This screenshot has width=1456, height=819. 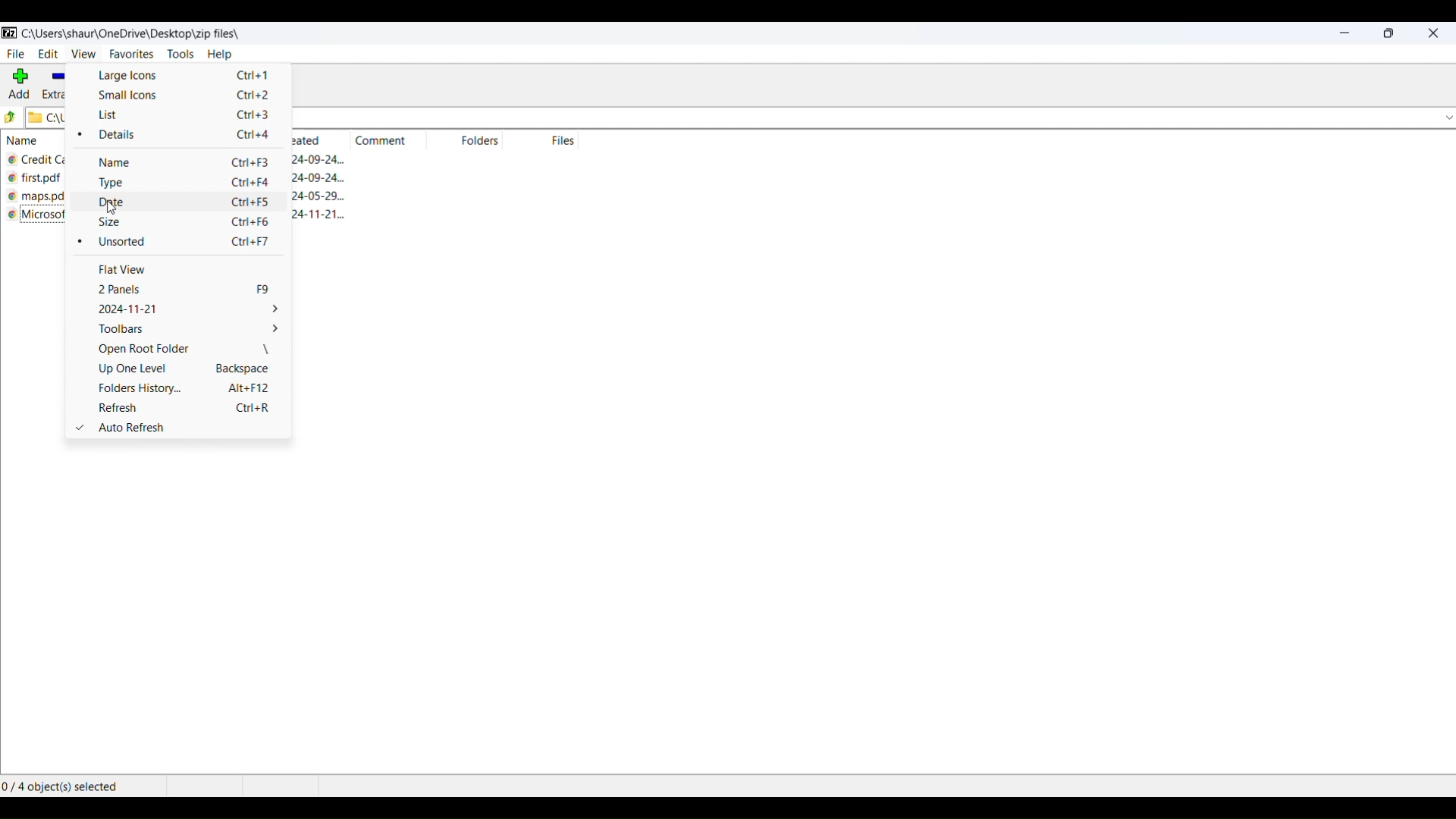 I want to click on name, so click(x=34, y=141).